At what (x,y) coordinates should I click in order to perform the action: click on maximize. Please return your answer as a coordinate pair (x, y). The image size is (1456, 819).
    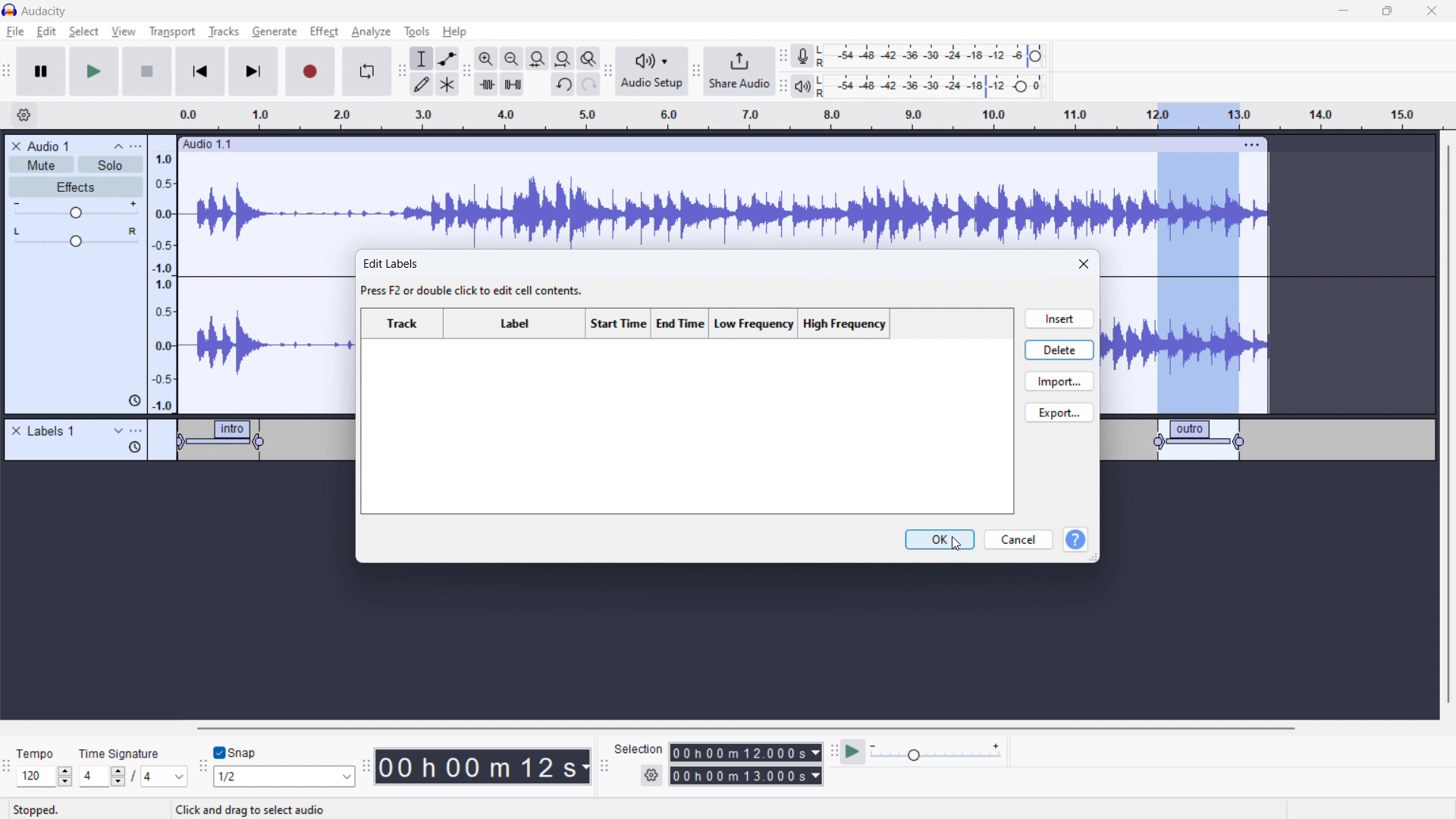
    Looking at the image, I should click on (1387, 11).